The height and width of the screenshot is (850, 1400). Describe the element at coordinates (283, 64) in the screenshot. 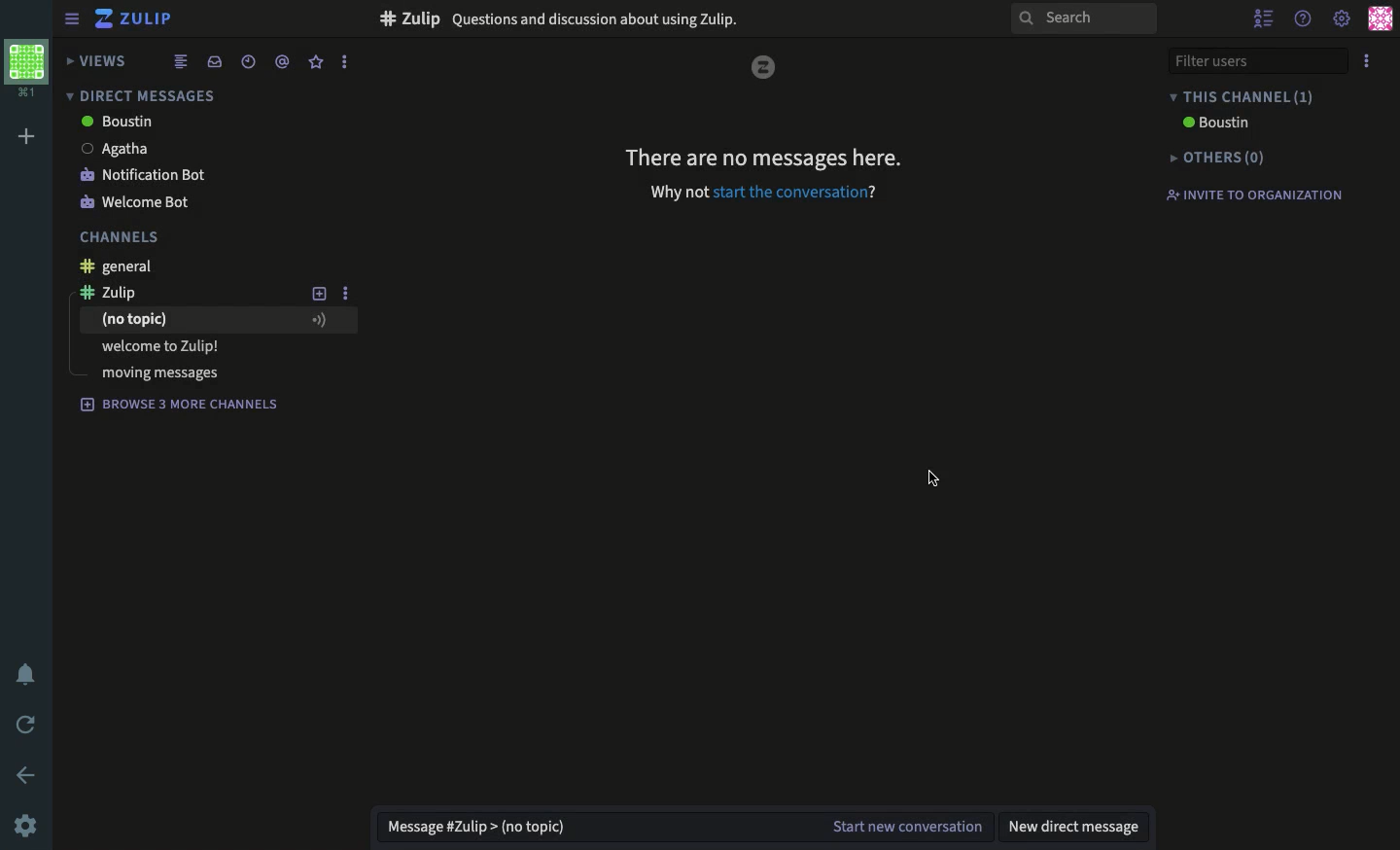

I see `mention` at that location.